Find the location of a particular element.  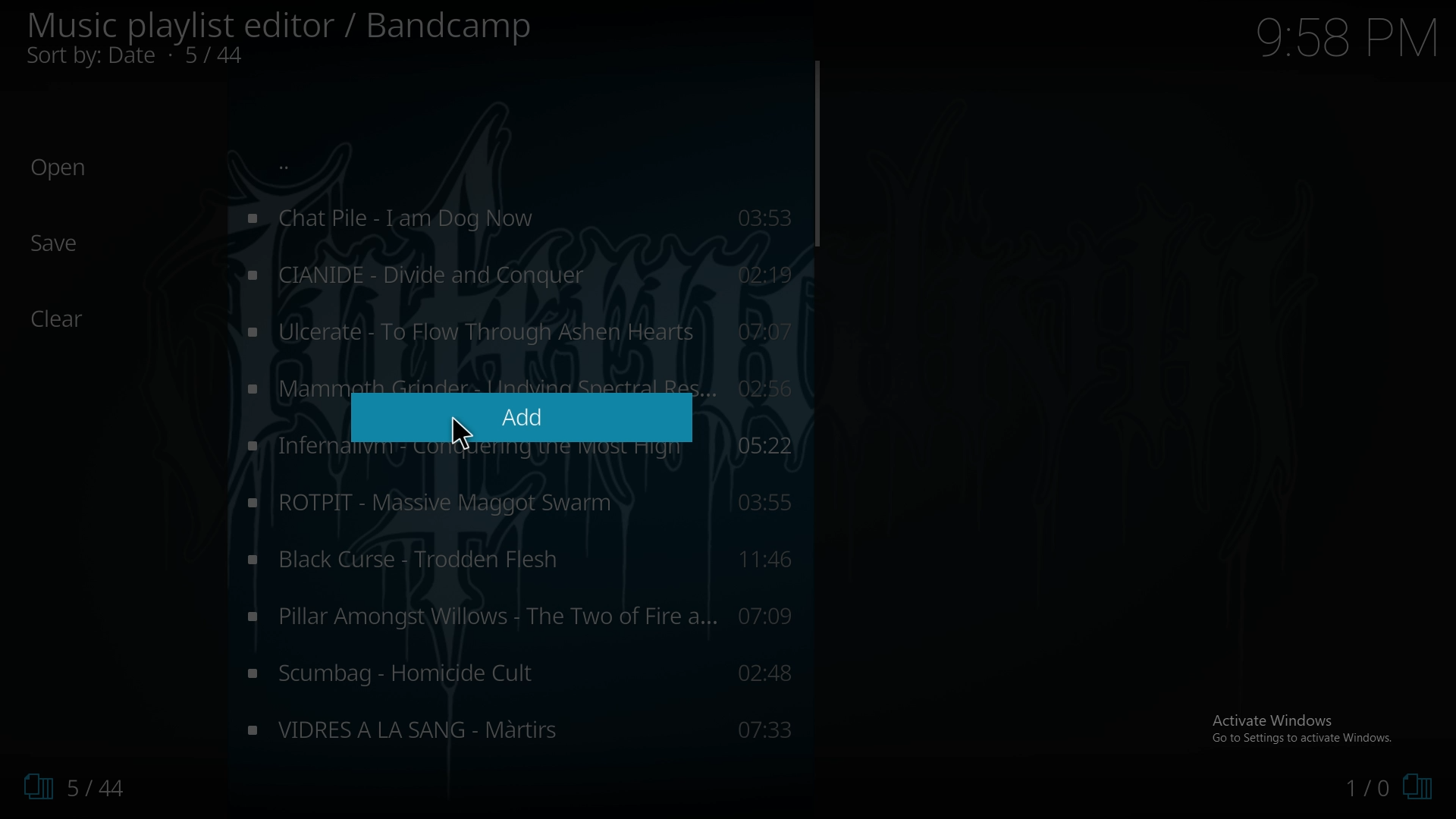

music is located at coordinates (519, 563).